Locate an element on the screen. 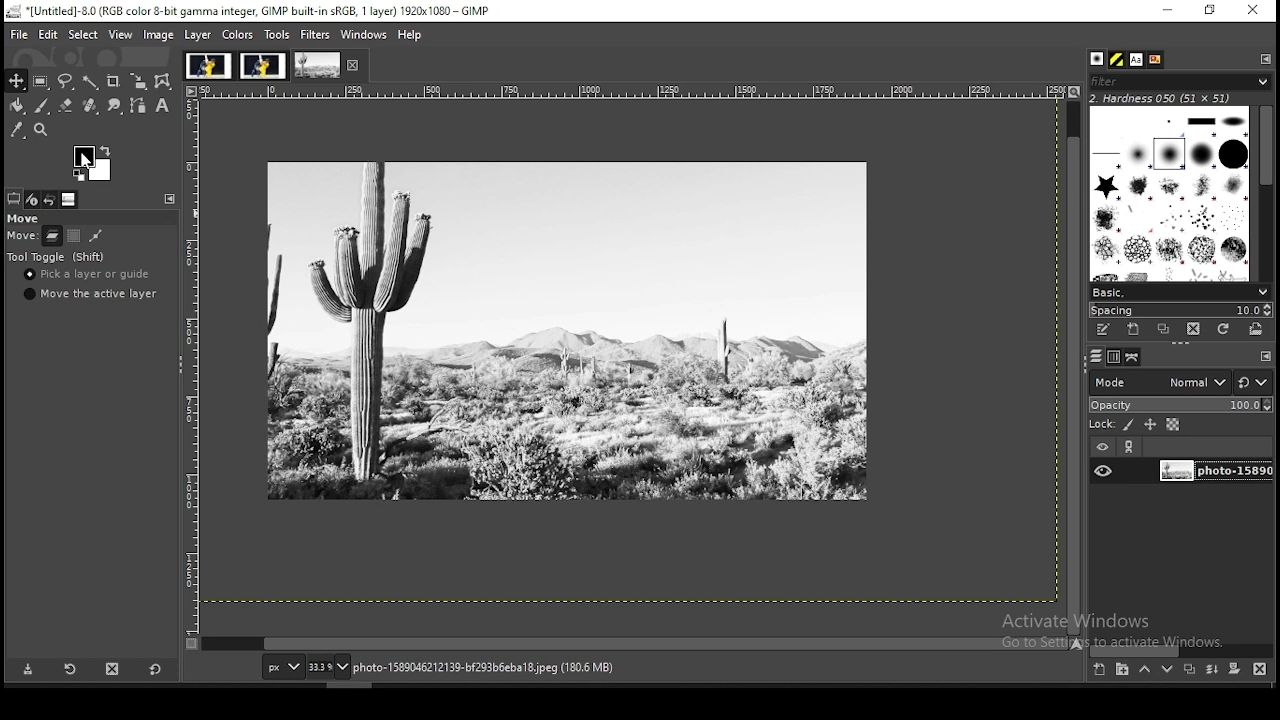 This screenshot has height=720, width=1280. configure this pane is located at coordinates (1264, 58).